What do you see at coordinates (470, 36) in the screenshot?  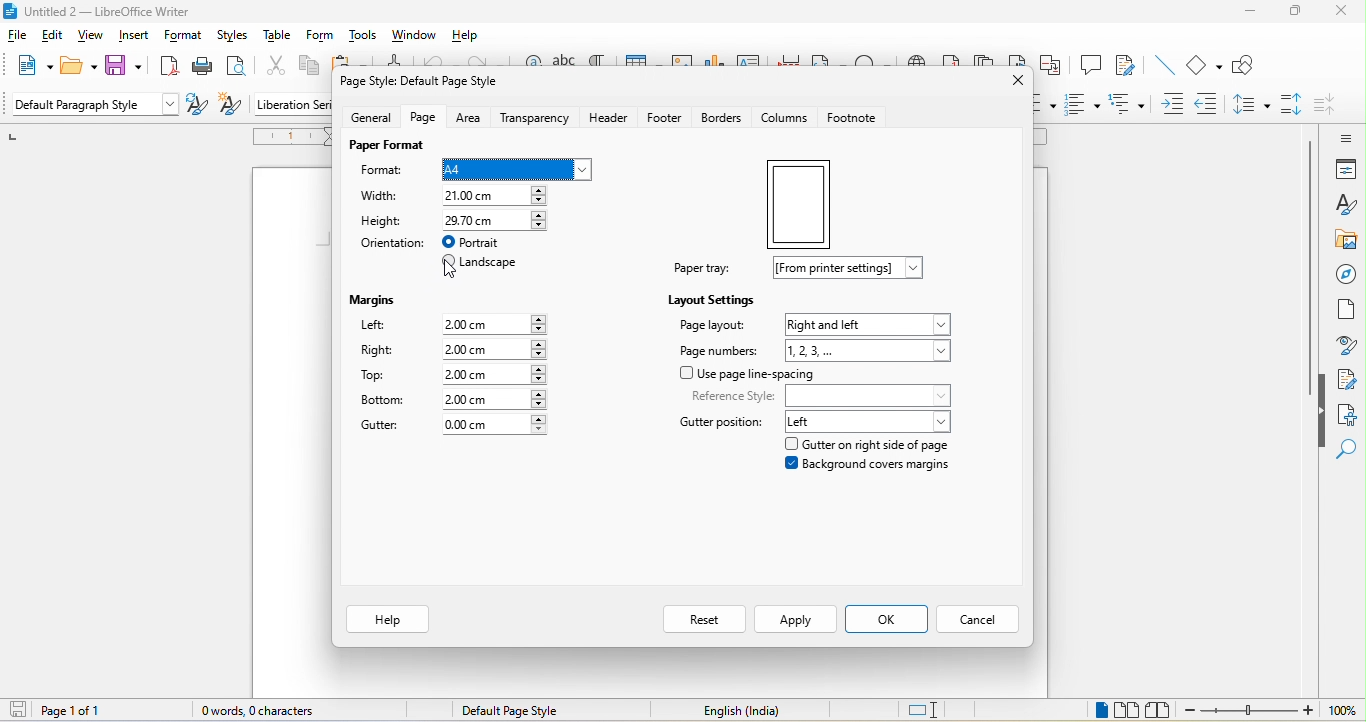 I see `help` at bounding box center [470, 36].